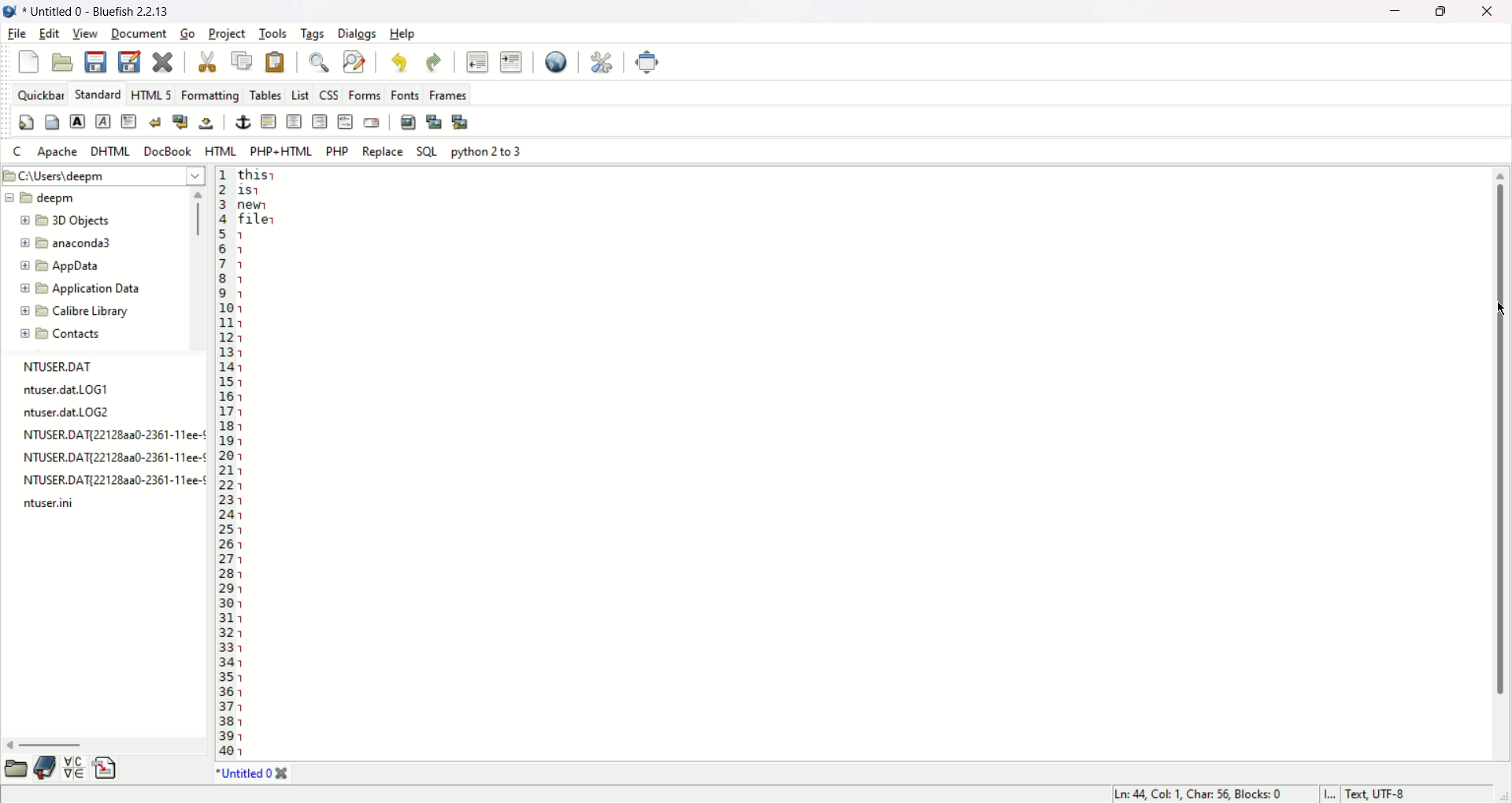  Describe the element at coordinates (295, 121) in the screenshot. I see `center` at that location.